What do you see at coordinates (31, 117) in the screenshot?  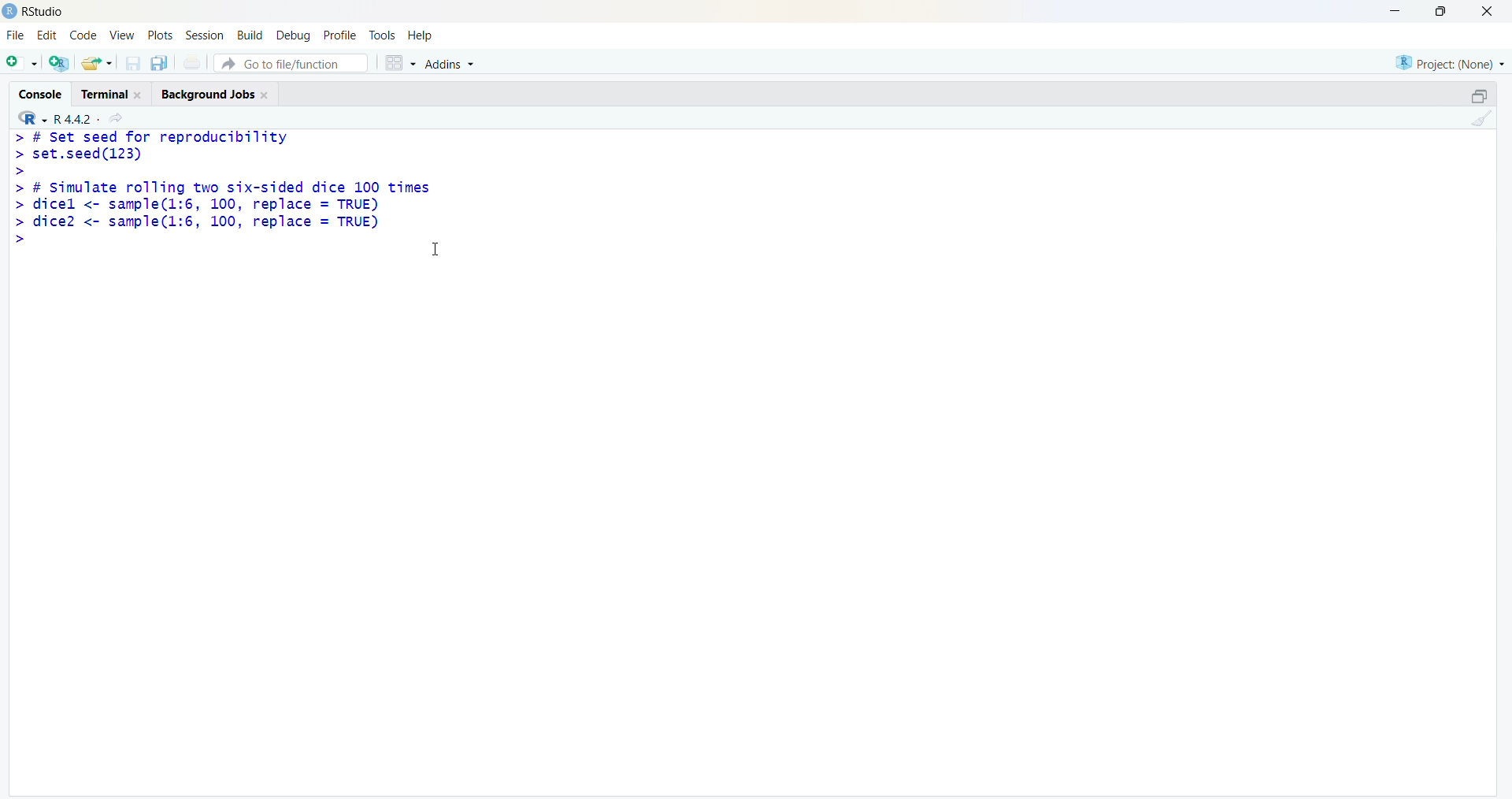 I see `R` at bounding box center [31, 117].